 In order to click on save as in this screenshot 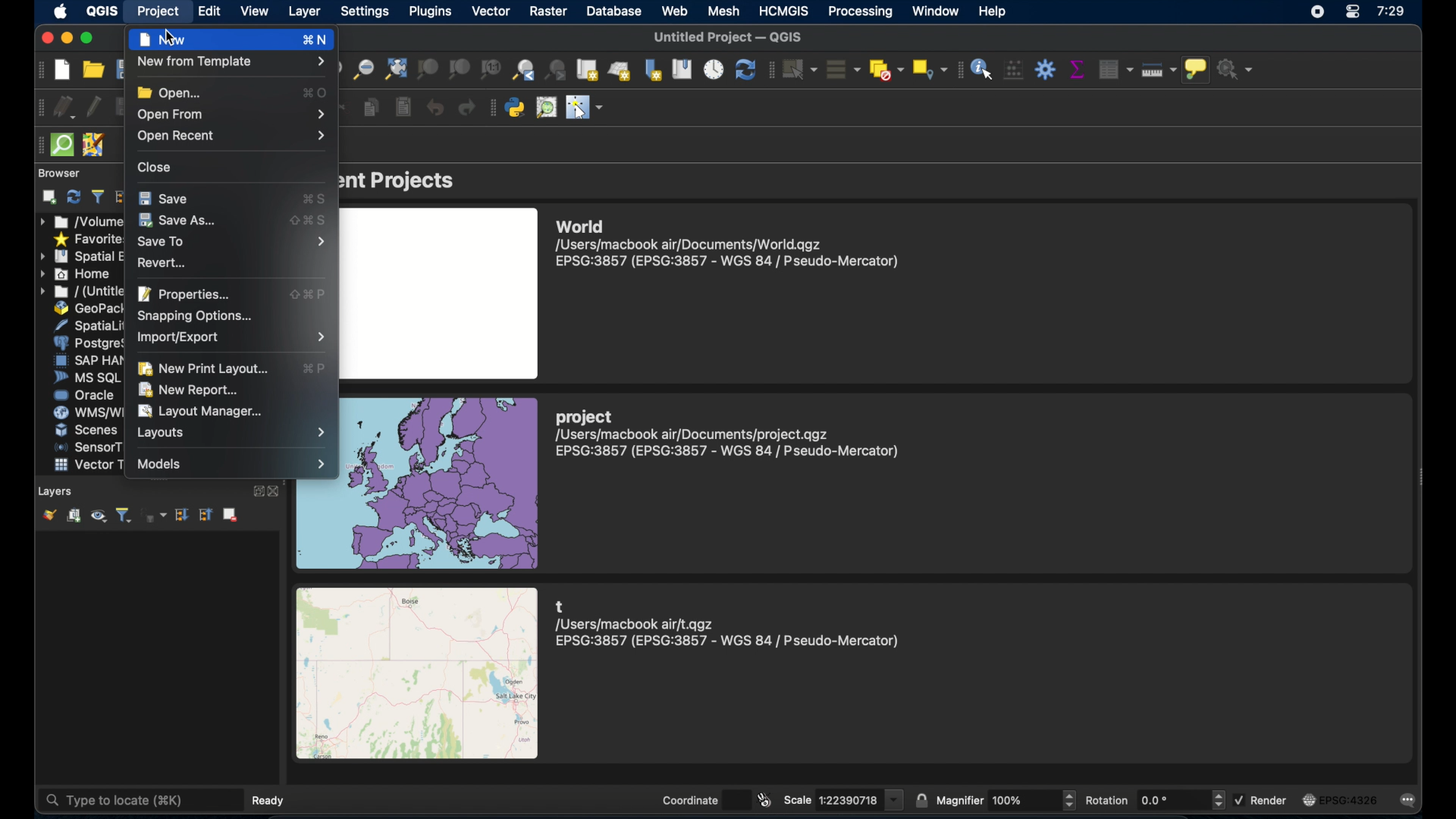, I will do `click(183, 221)`.